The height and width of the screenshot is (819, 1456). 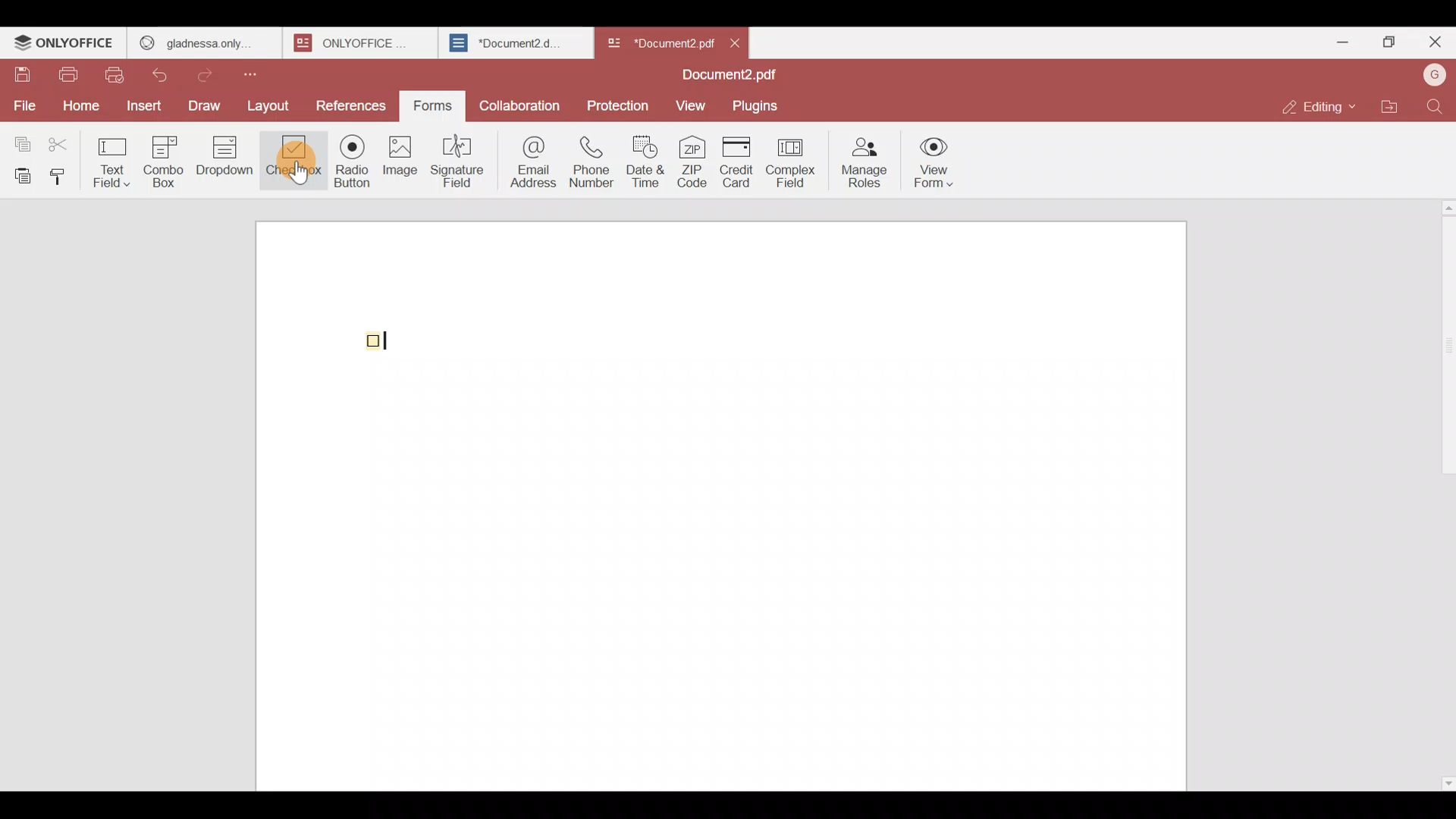 I want to click on Credit card, so click(x=733, y=163).